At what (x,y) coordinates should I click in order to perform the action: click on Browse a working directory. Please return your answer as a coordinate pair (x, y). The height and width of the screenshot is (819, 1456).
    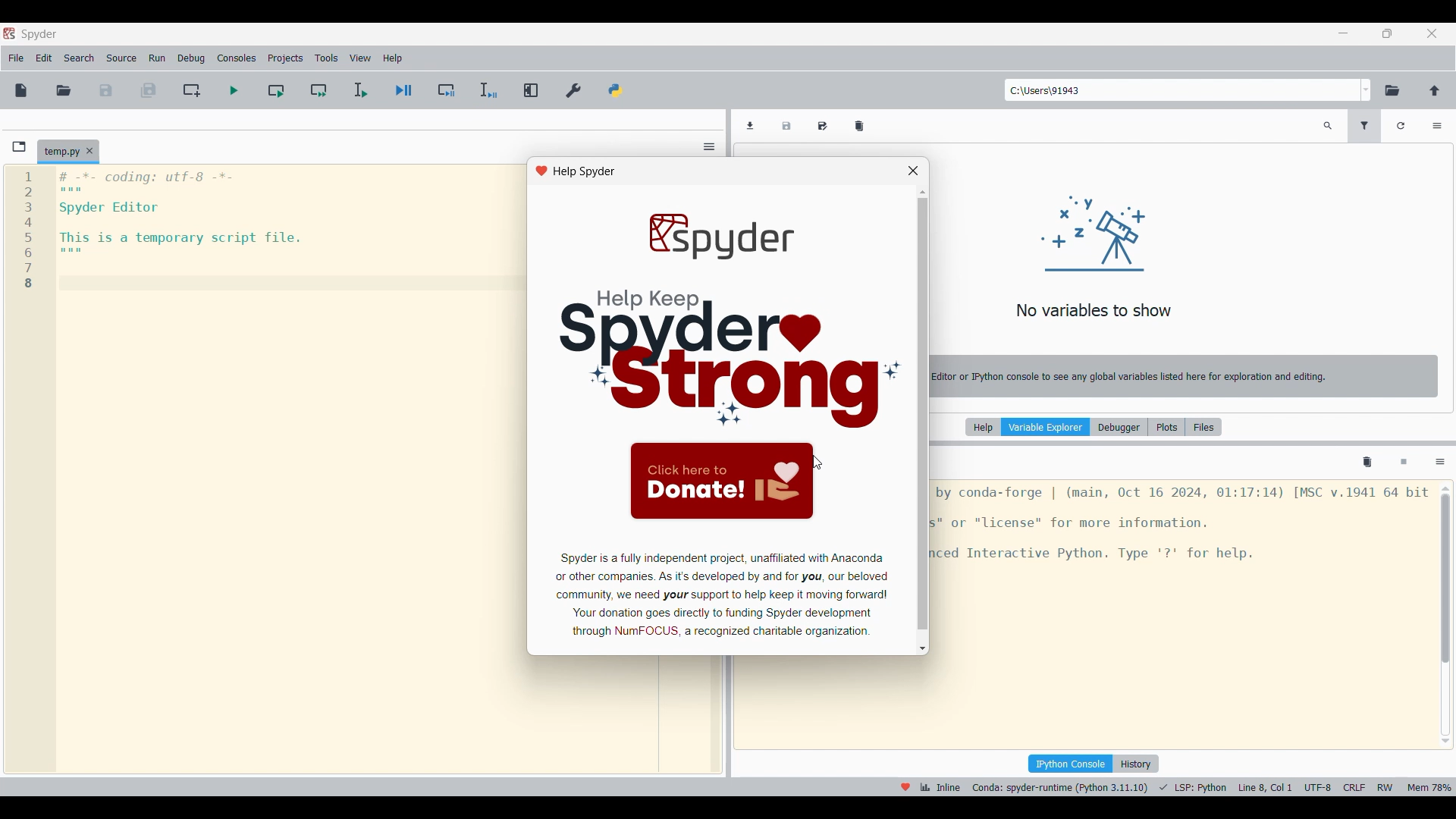
    Looking at the image, I should click on (1392, 90).